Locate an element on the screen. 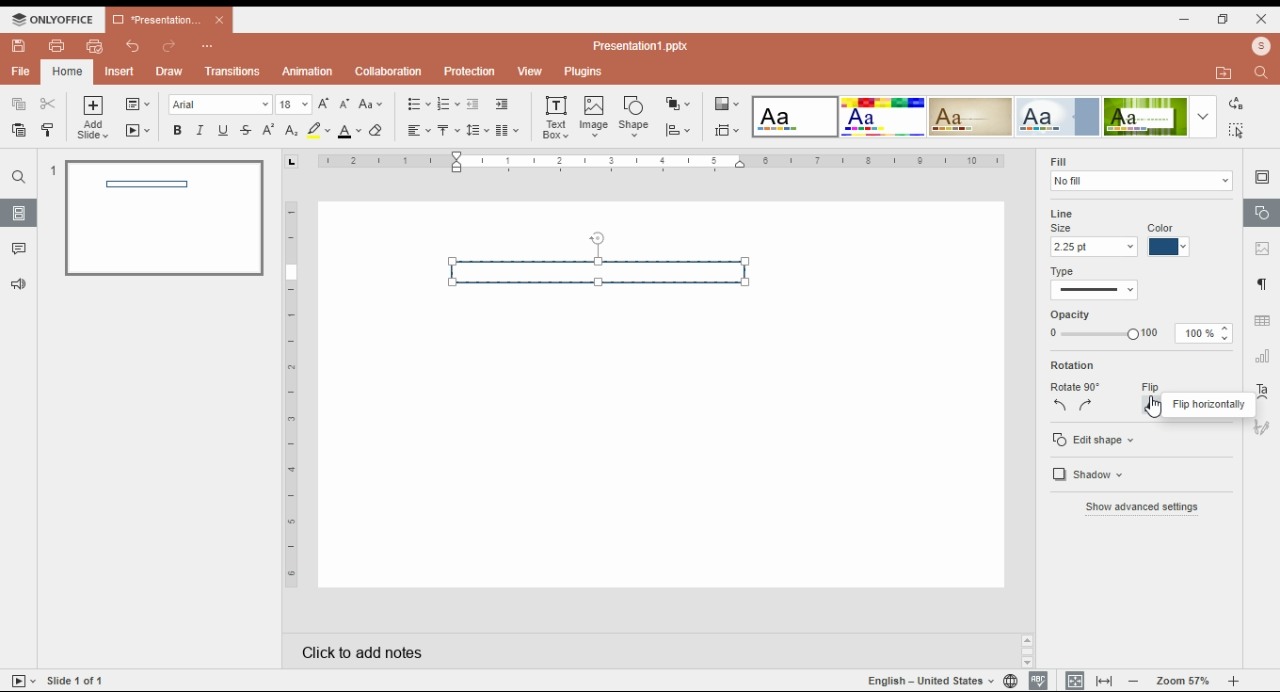 Image resolution: width=1280 pixels, height=692 pixels. transitions is located at coordinates (233, 73).